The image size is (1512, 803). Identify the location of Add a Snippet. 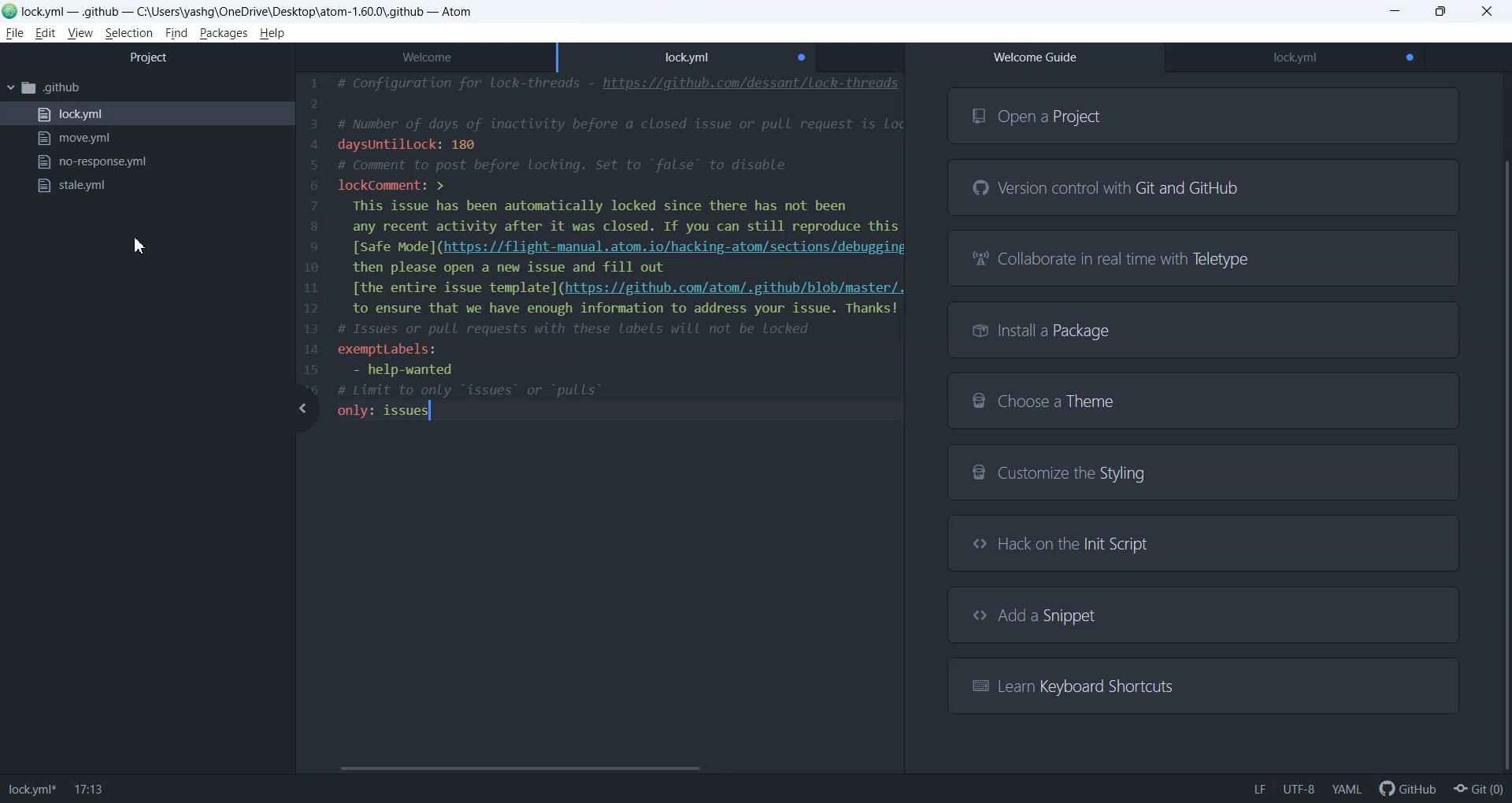
(1203, 615).